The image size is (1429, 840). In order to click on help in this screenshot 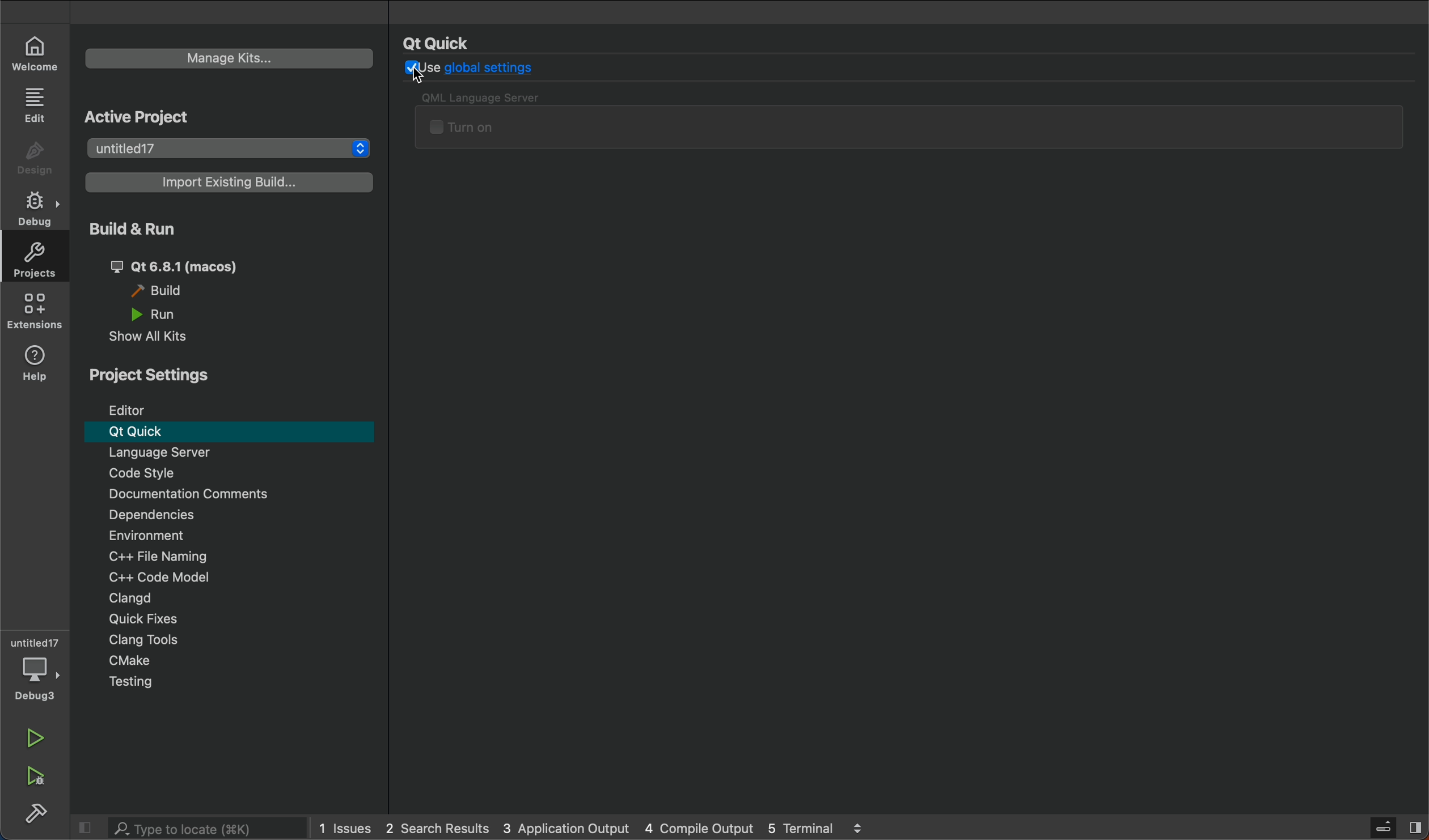, I will do `click(36, 363)`.